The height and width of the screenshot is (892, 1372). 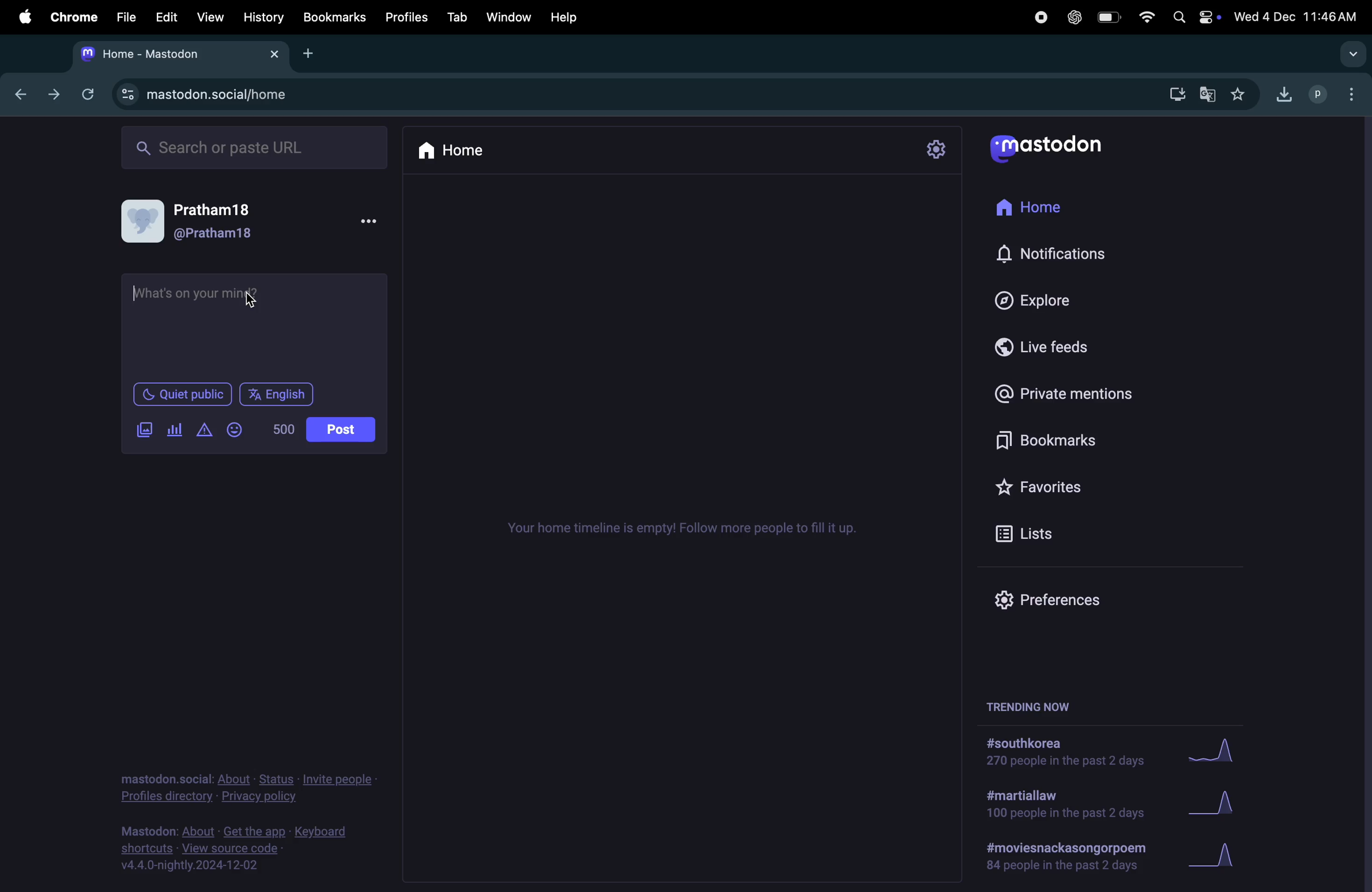 What do you see at coordinates (454, 18) in the screenshot?
I see `Tab` at bounding box center [454, 18].